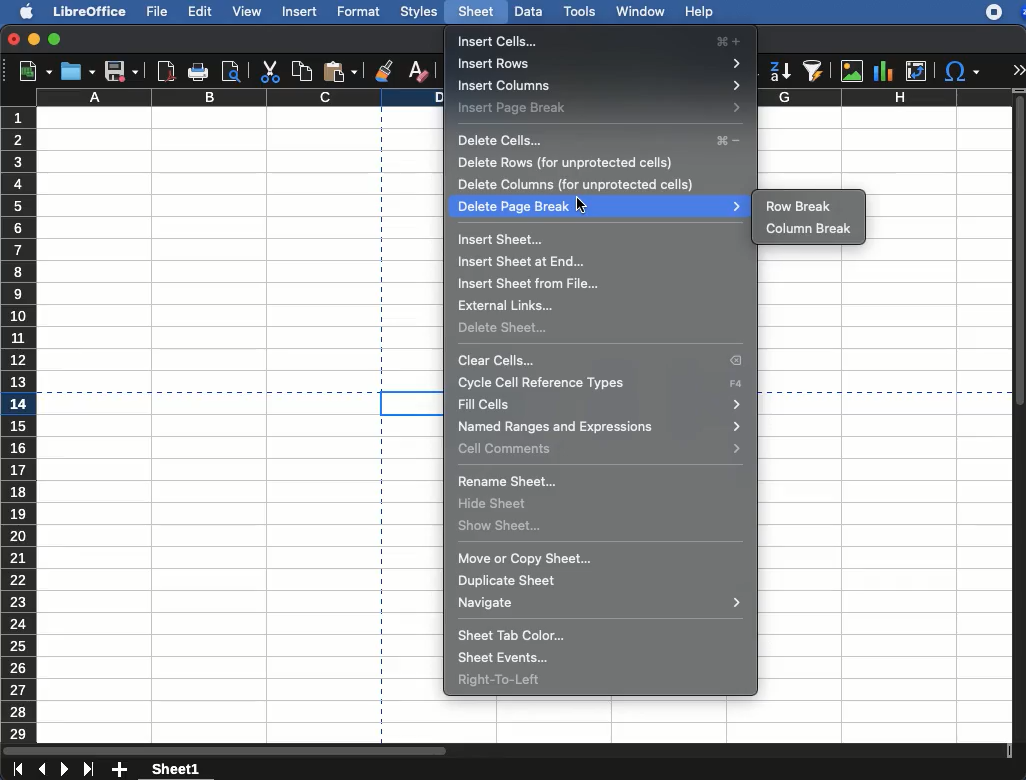 This screenshot has height=780, width=1026. I want to click on cut, so click(269, 73).